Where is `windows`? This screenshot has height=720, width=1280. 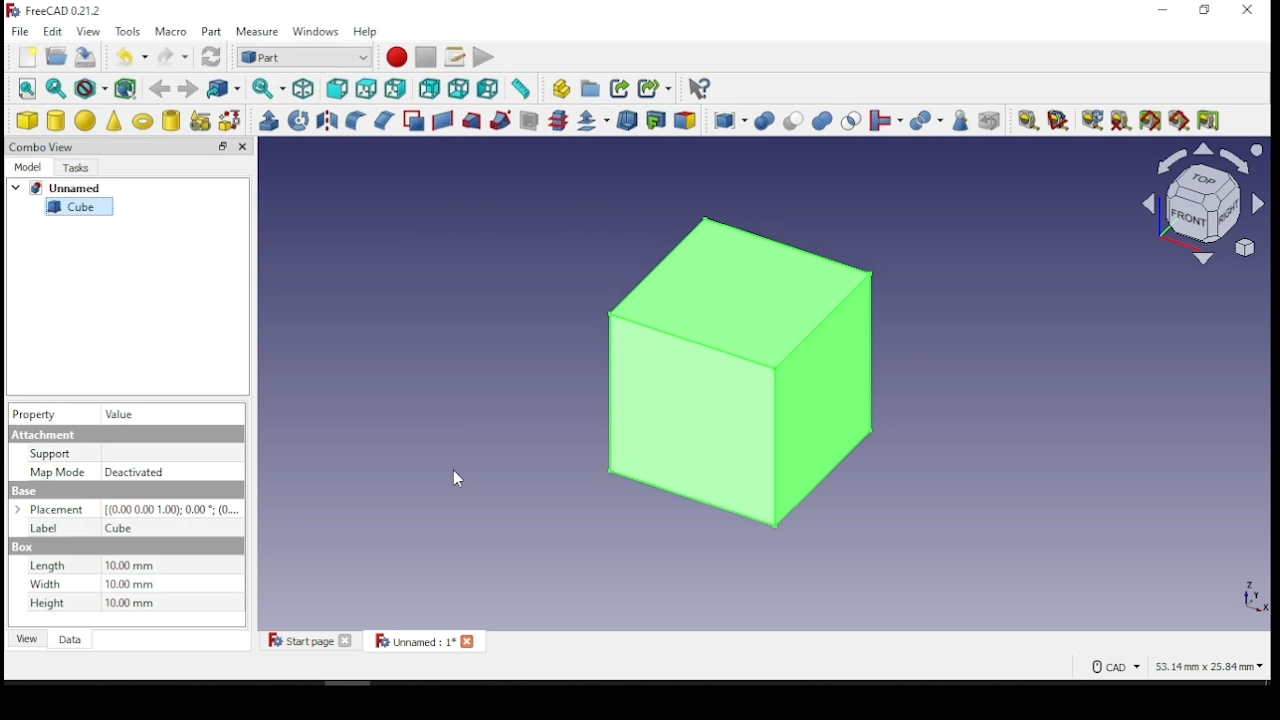
windows is located at coordinates (317, 33).